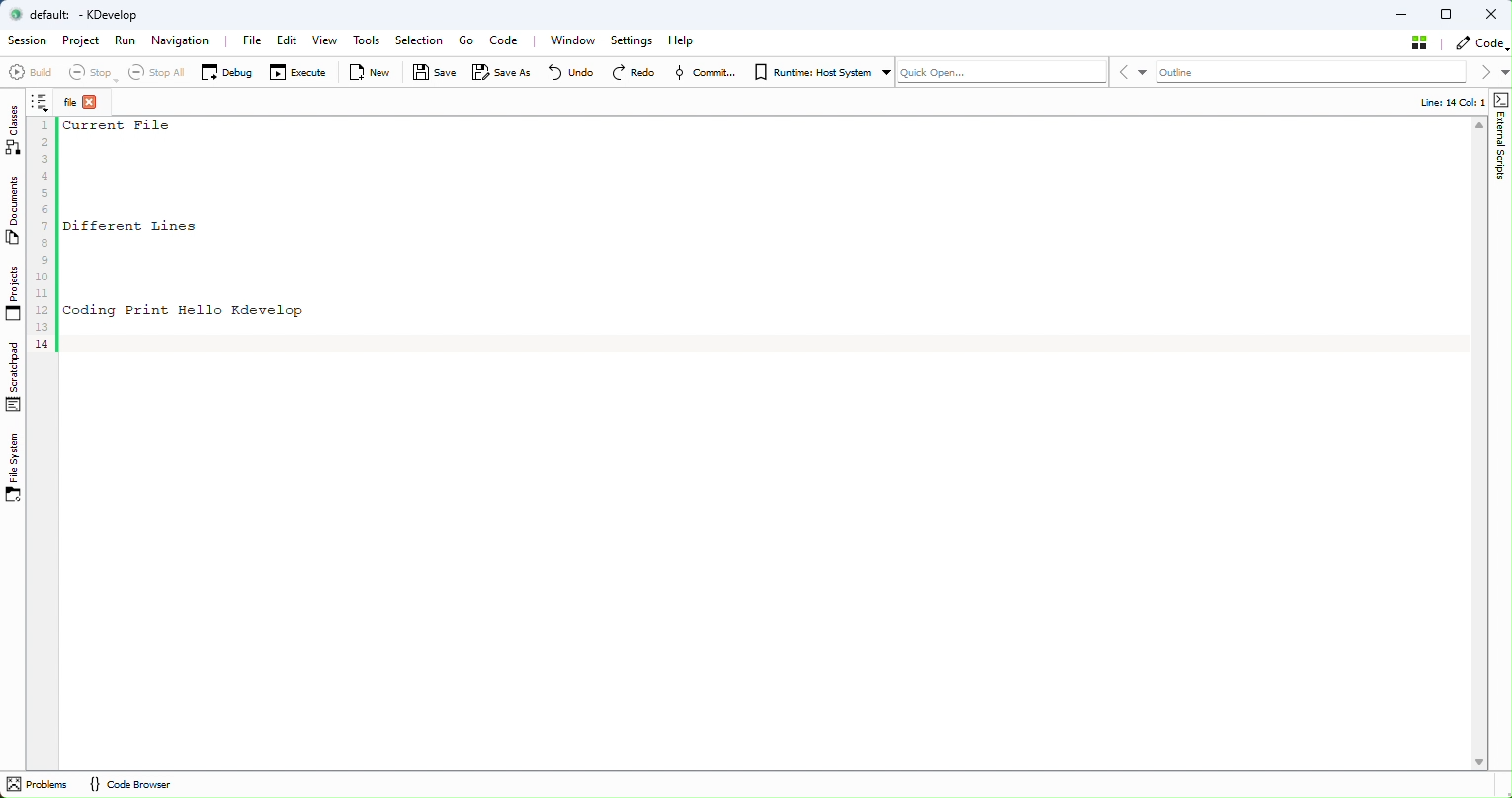 The width and height of the screenshot is (1512, 798). What do you see at coordinates (1001, 71) in the screenshot?
I see `Quick Open` at bounding box center [1001, 71].